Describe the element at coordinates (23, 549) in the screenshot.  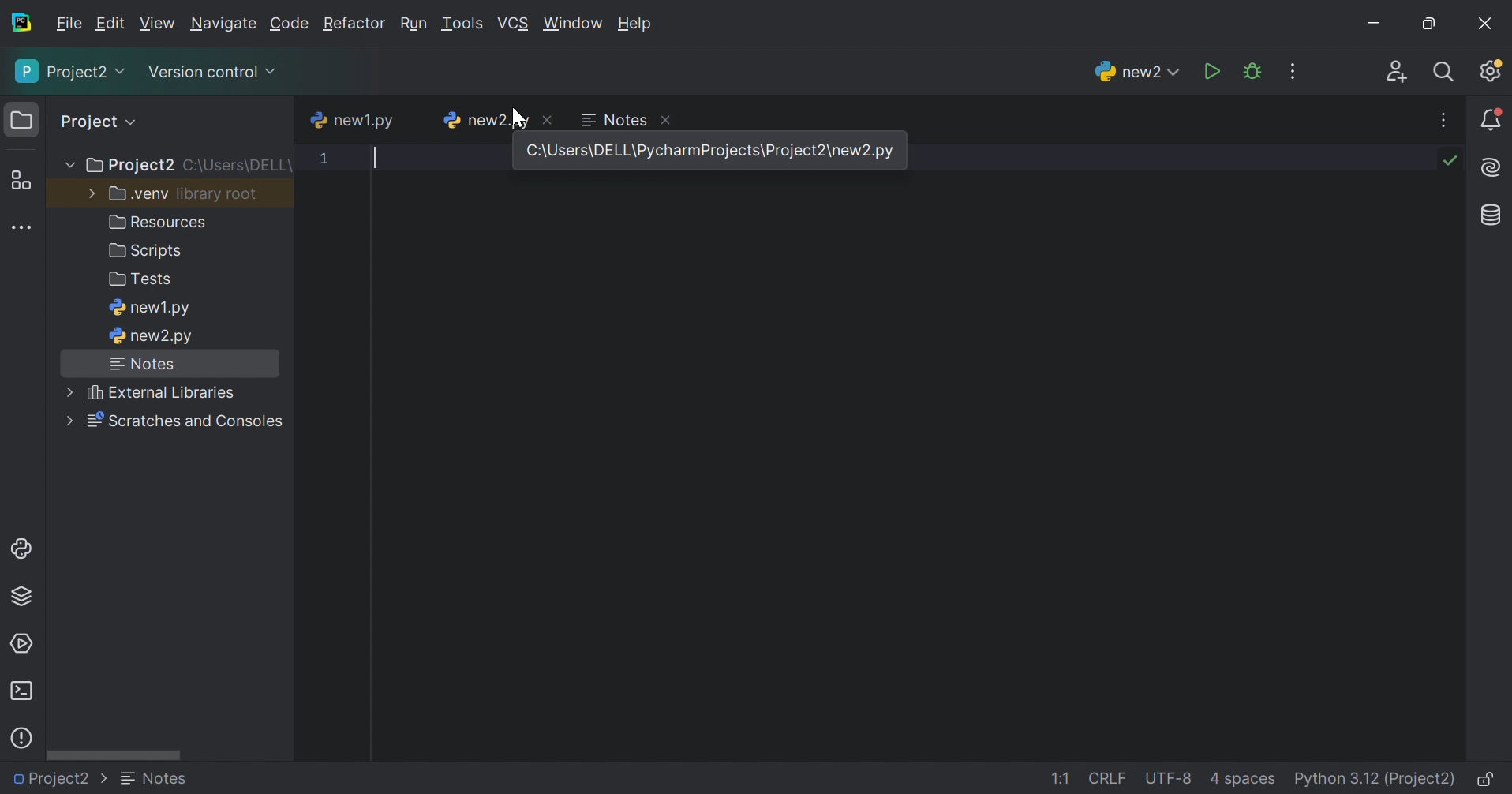
I see `Python console` at that location.